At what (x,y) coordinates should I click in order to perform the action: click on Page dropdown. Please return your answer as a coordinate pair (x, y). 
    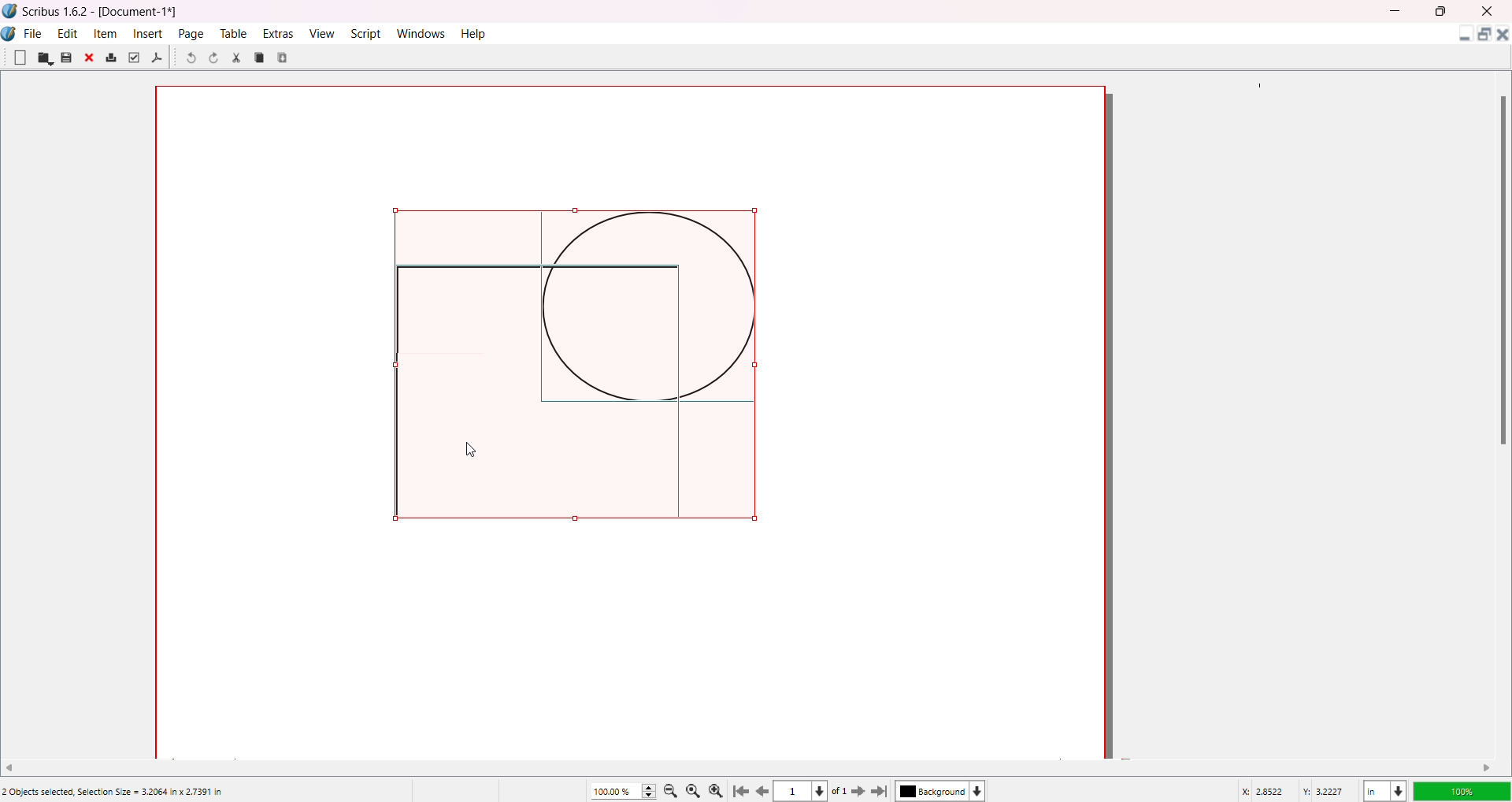
    Looking at the image, I should click on (826, 790).